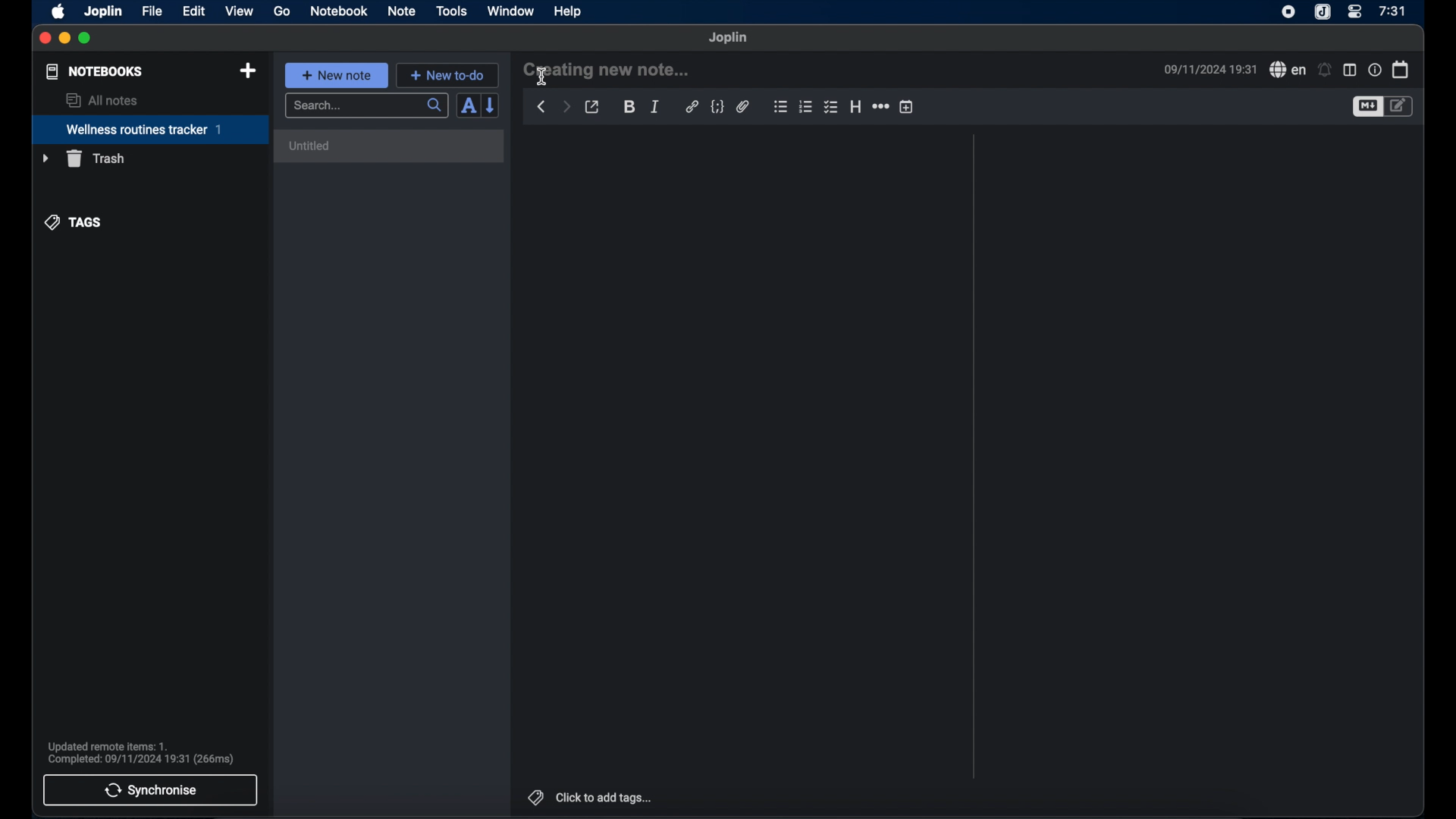 This screenshot has width=1456, height=819. Describe the element at coordinates (906, 106) in the screenshot. I see `insert time` at that location.